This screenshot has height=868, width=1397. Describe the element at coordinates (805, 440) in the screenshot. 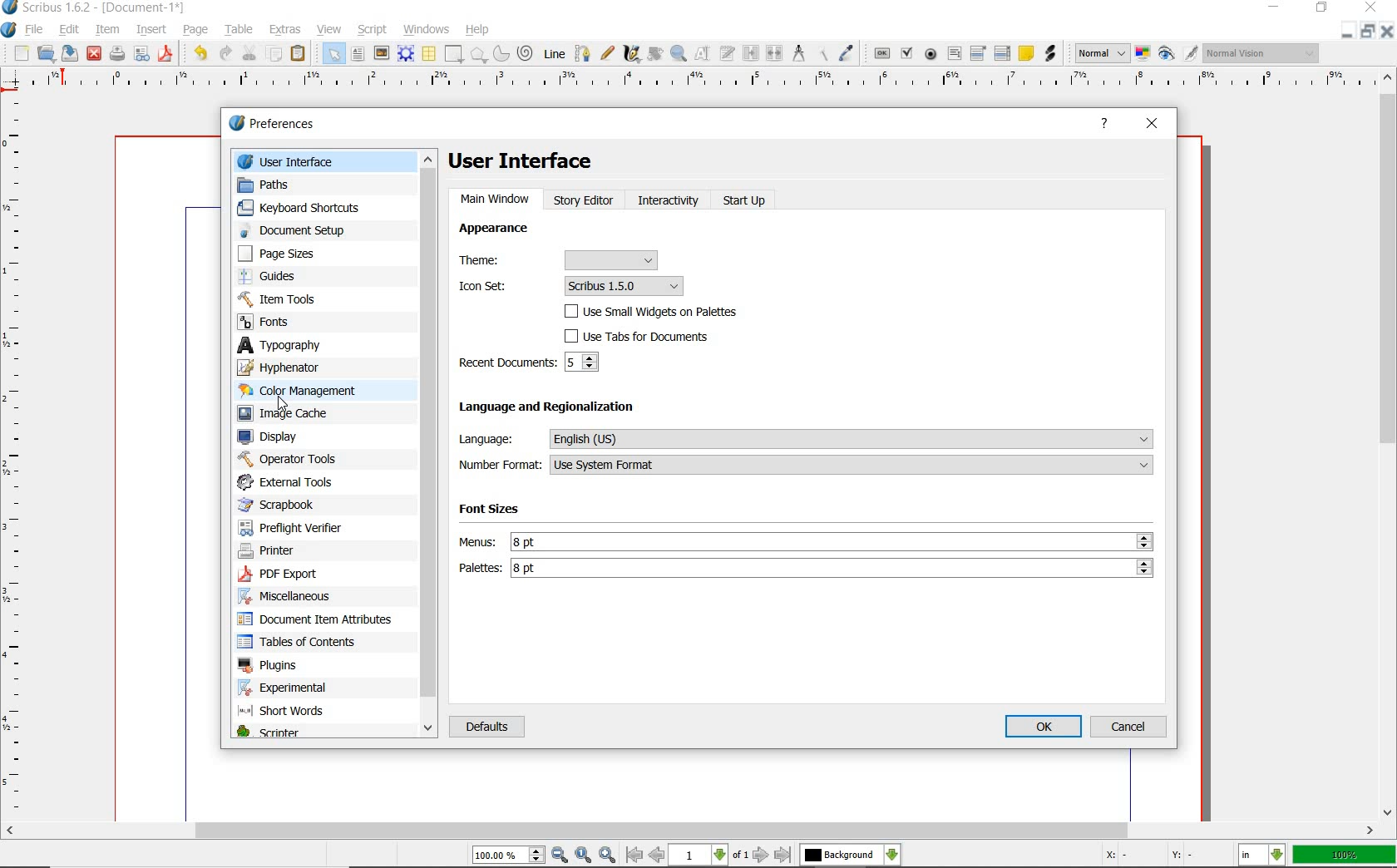

I see `language` at that location.